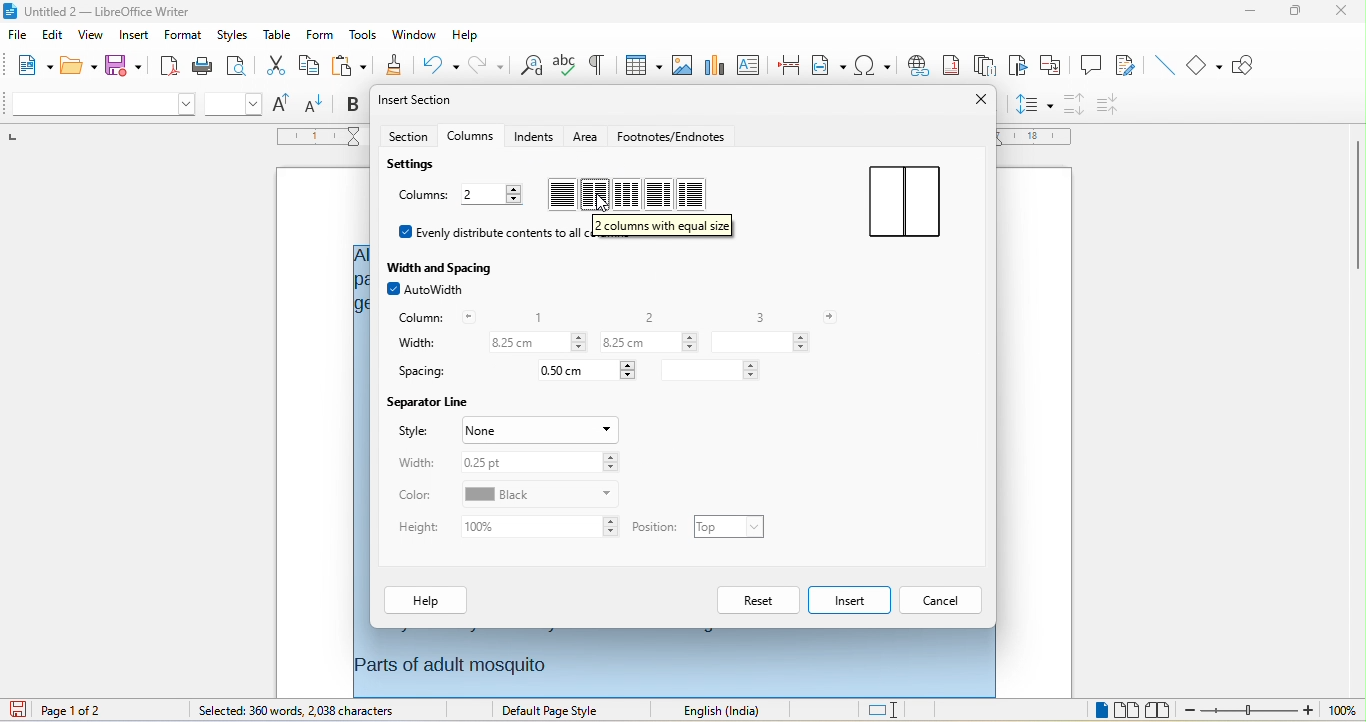 This screenshot has height=722, width=1366. I want to click on text language, so click(729, 711).